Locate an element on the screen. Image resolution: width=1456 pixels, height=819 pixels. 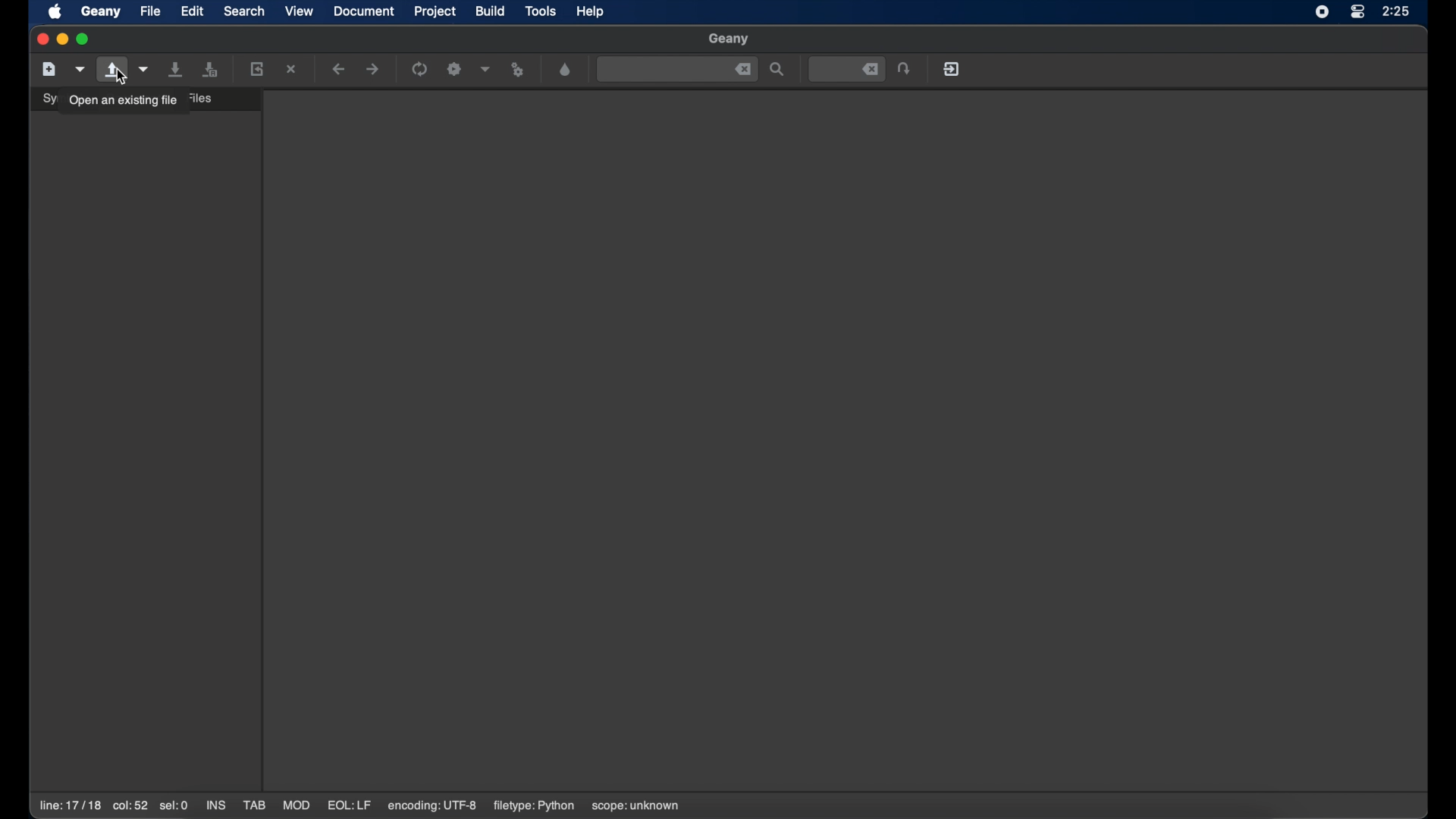
open recent file is located at coordinates (145, 70).